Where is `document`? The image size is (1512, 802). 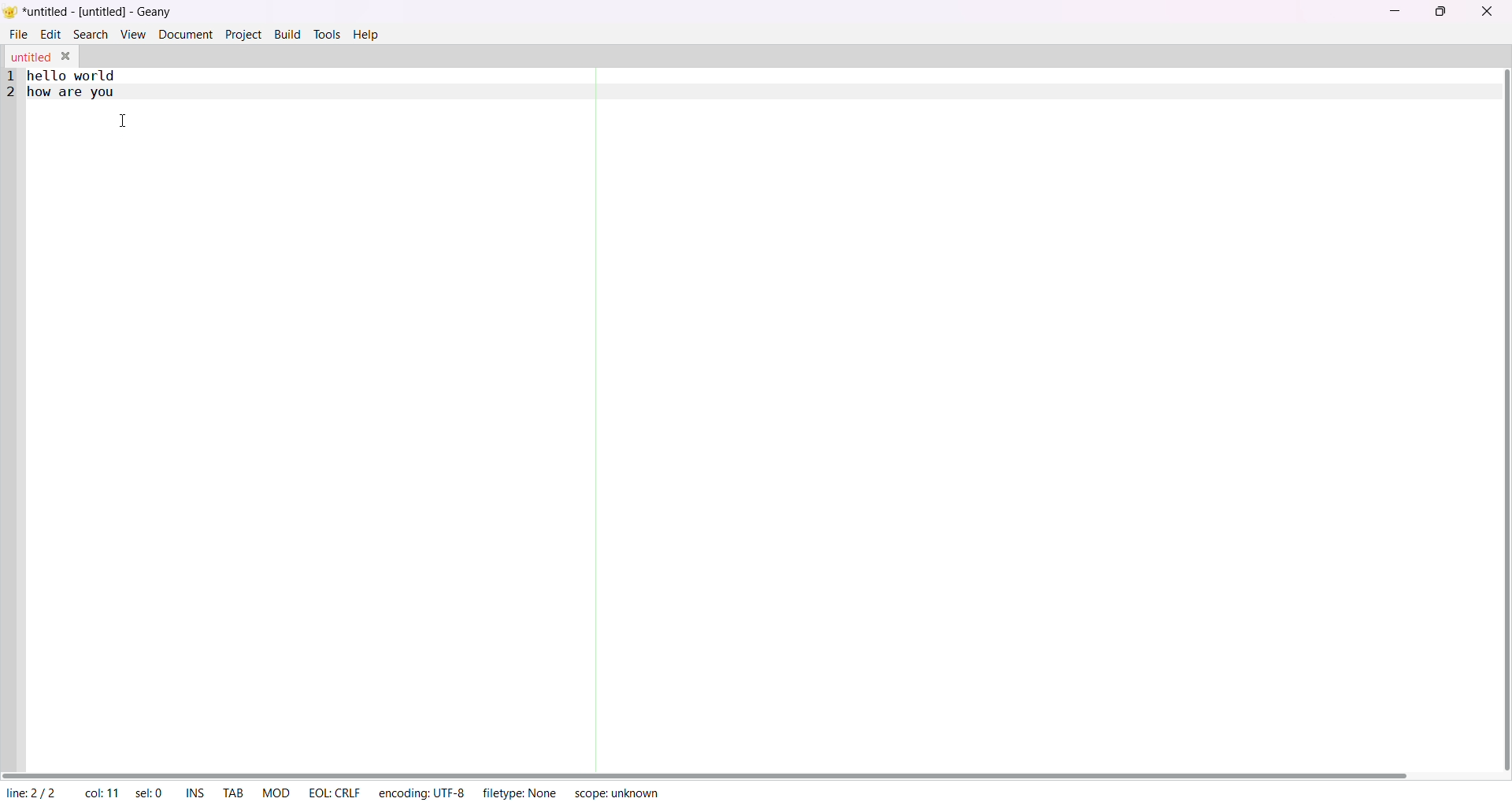 document is located at coordinates (186, 33).